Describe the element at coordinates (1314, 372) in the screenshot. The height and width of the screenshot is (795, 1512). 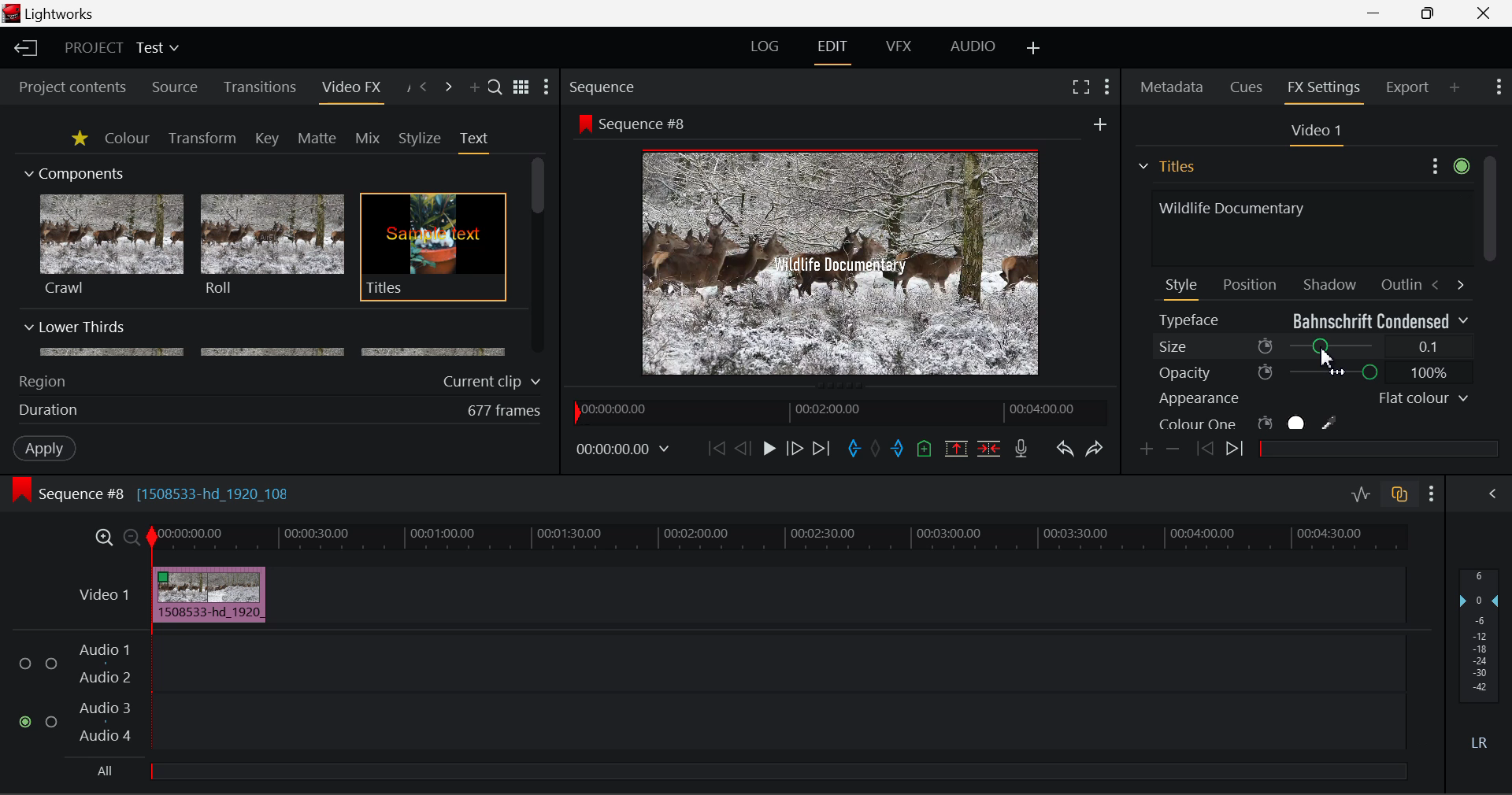
I see `Opacity` at that location.